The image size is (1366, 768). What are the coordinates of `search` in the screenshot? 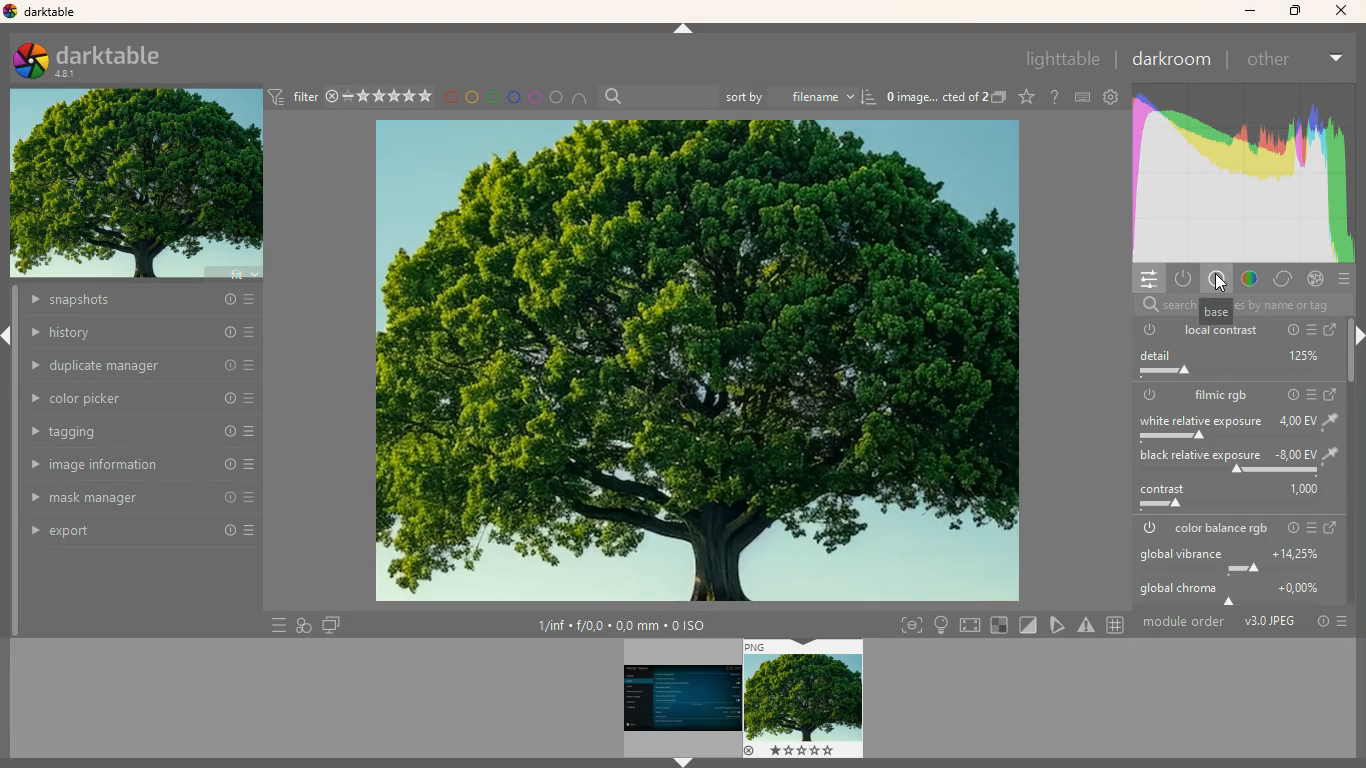 It's located at (1153, 304).